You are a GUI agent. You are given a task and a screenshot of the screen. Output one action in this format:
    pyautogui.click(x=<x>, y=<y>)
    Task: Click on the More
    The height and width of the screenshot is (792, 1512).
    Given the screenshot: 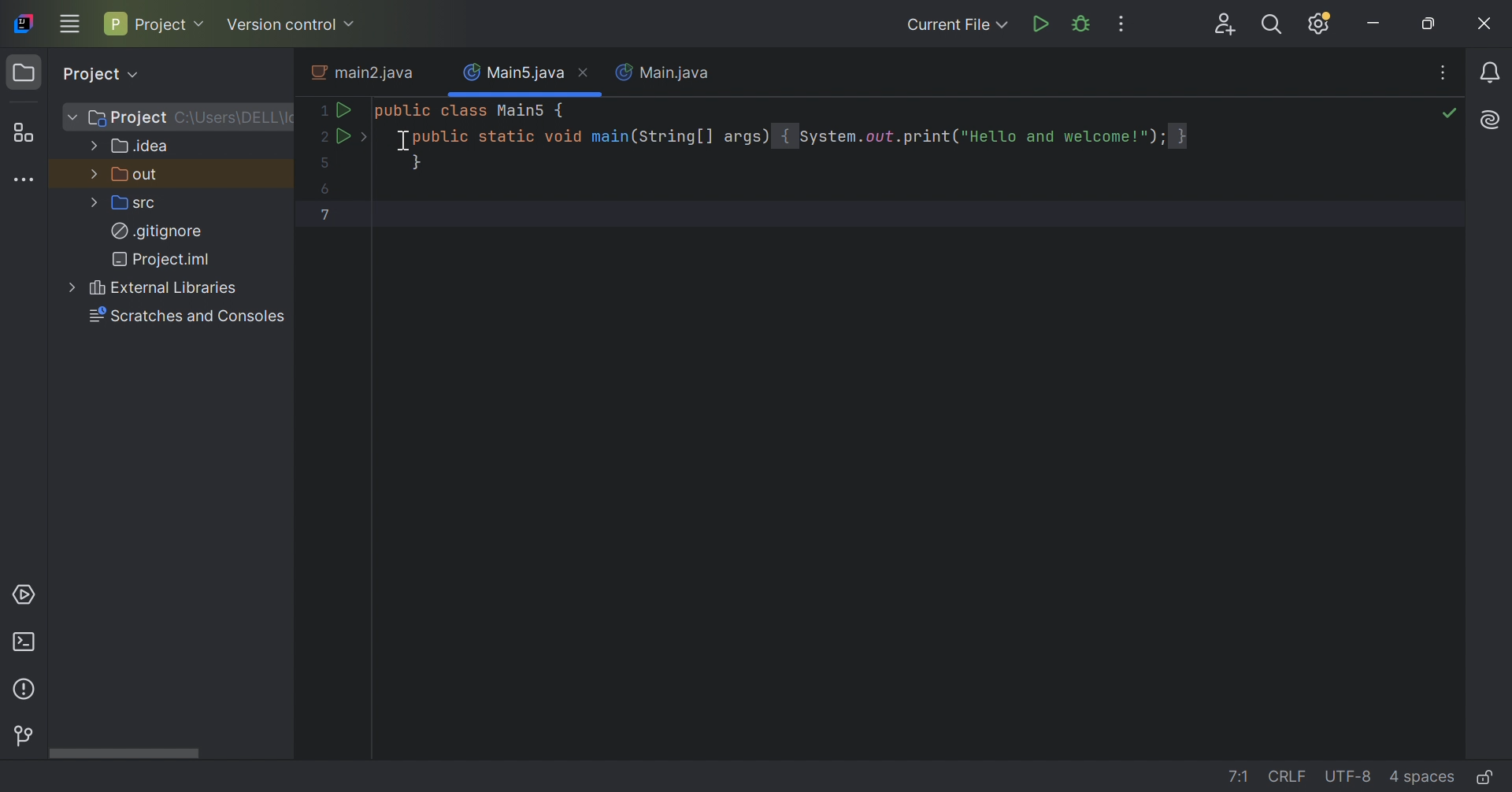 What is the action you would take?
    pyautogui.click(x=69, y=287)
    